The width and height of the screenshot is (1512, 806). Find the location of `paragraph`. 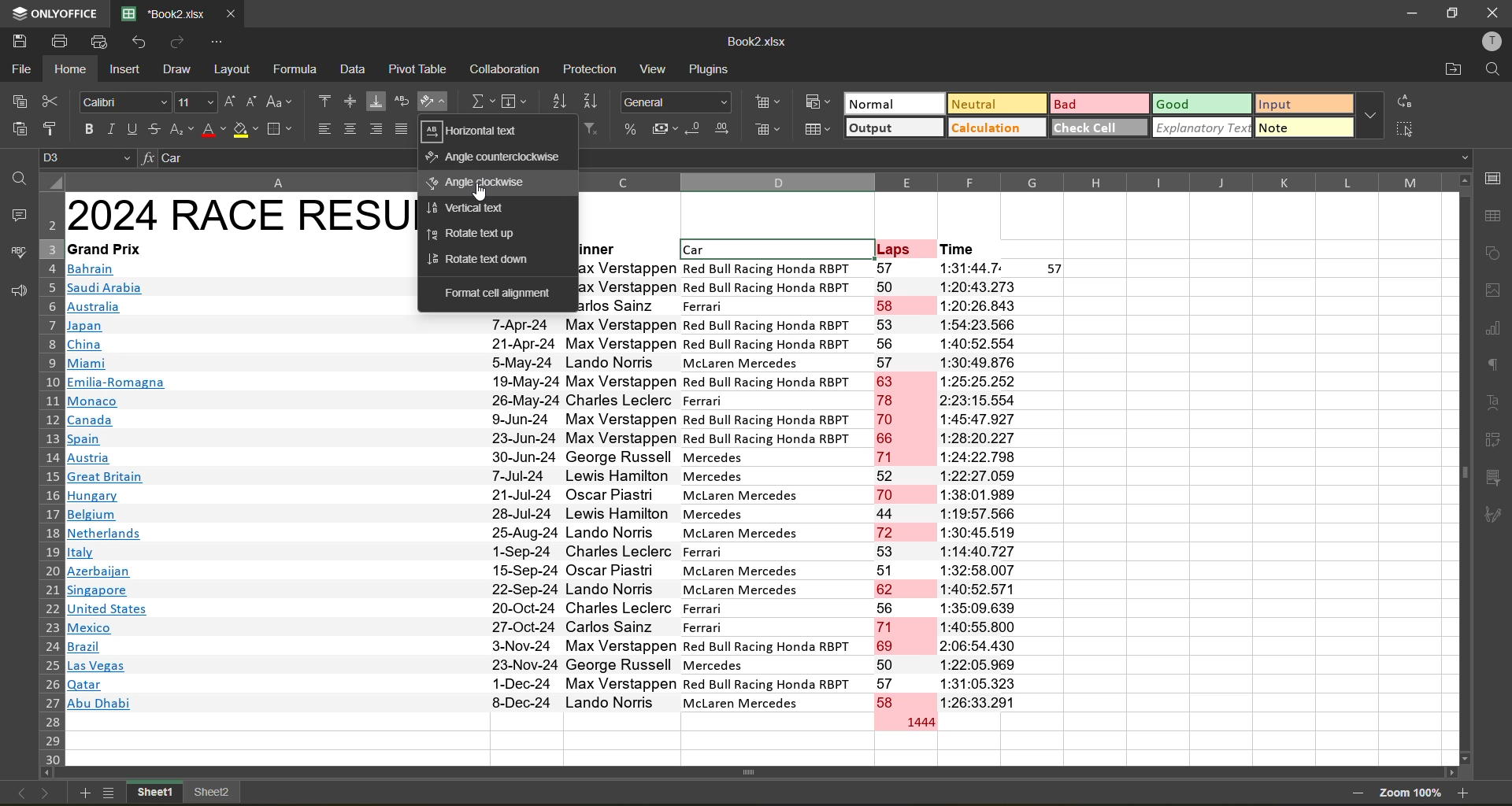

paragraph is located at coordinates (1493, 365).